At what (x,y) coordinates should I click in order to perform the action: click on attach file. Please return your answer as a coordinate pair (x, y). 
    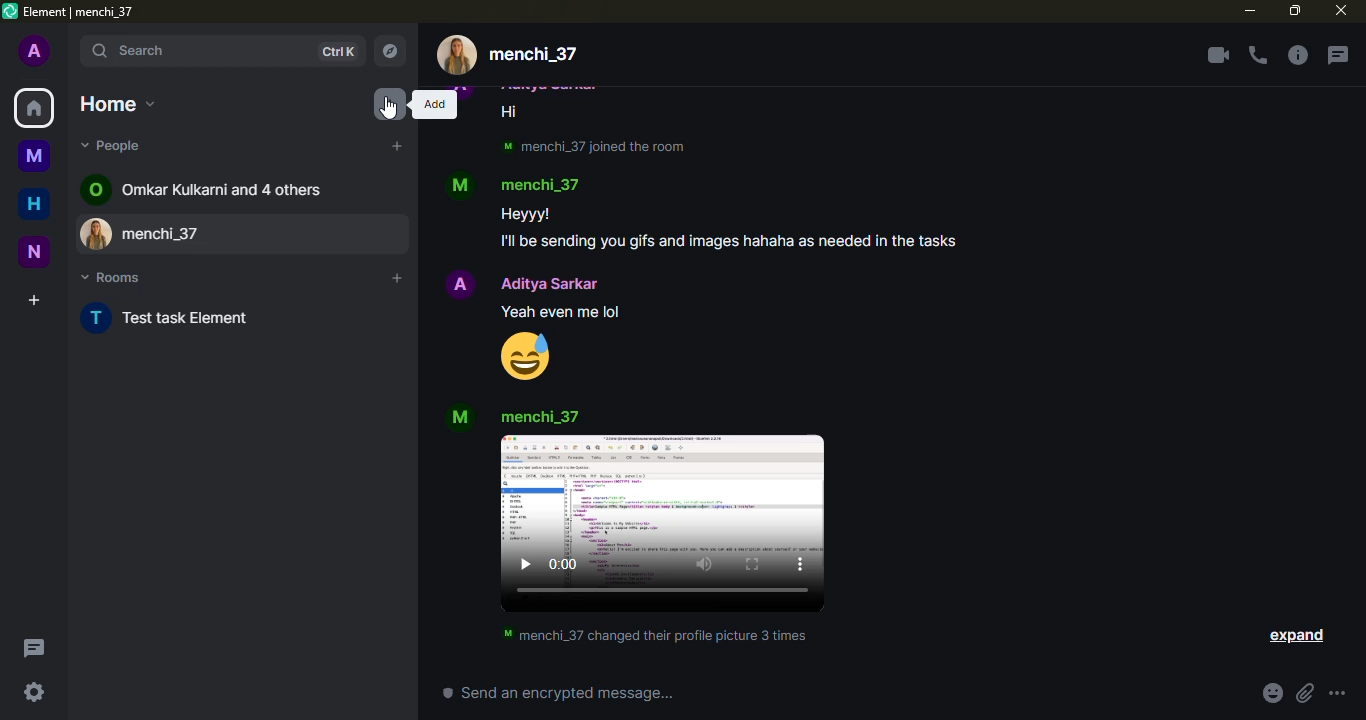
    Looking at the image, I should click on (1305, 693).